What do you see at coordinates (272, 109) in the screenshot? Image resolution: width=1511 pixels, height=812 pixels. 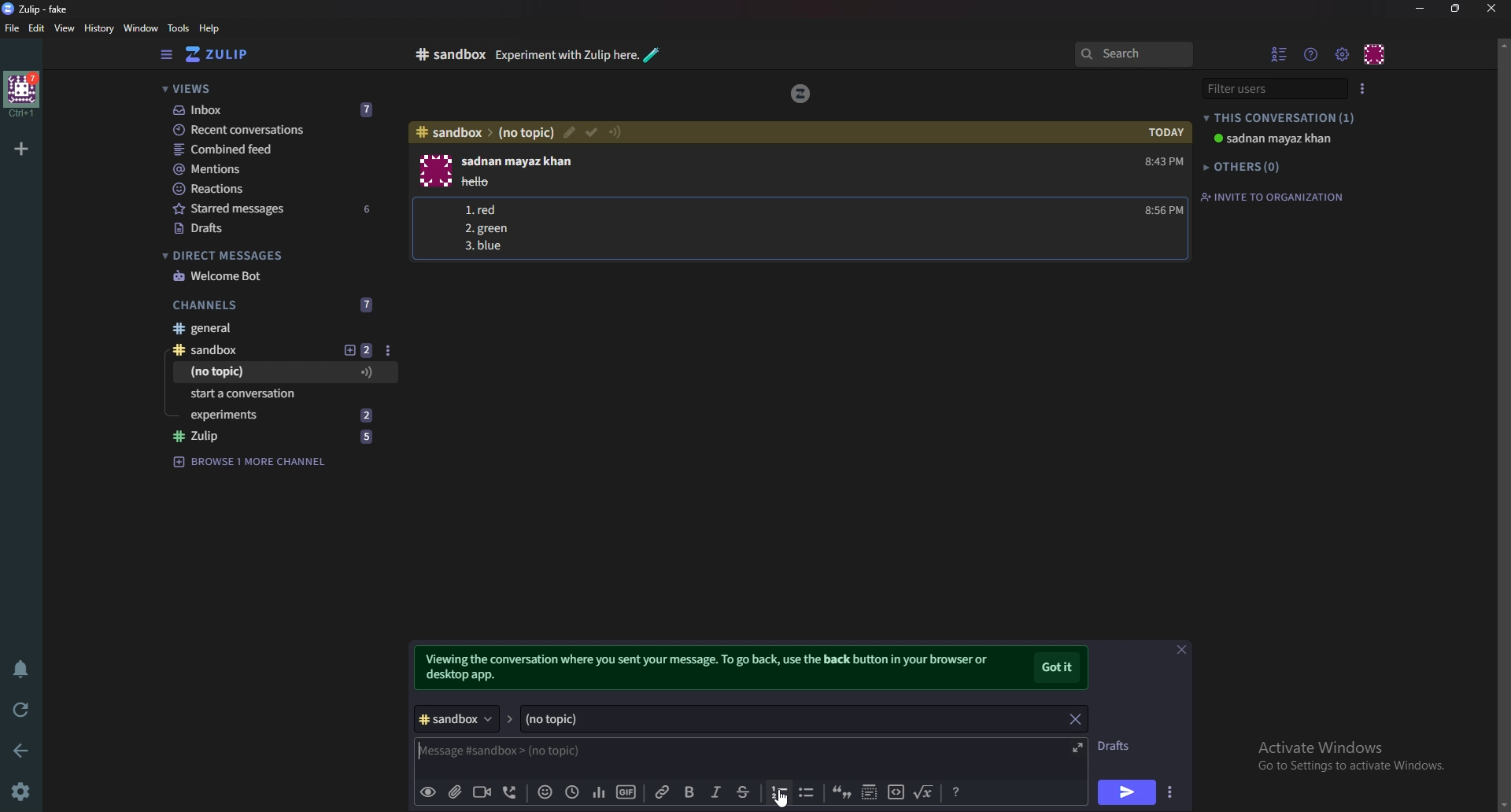 I see `Inbox` at bounding box center [272, 109].